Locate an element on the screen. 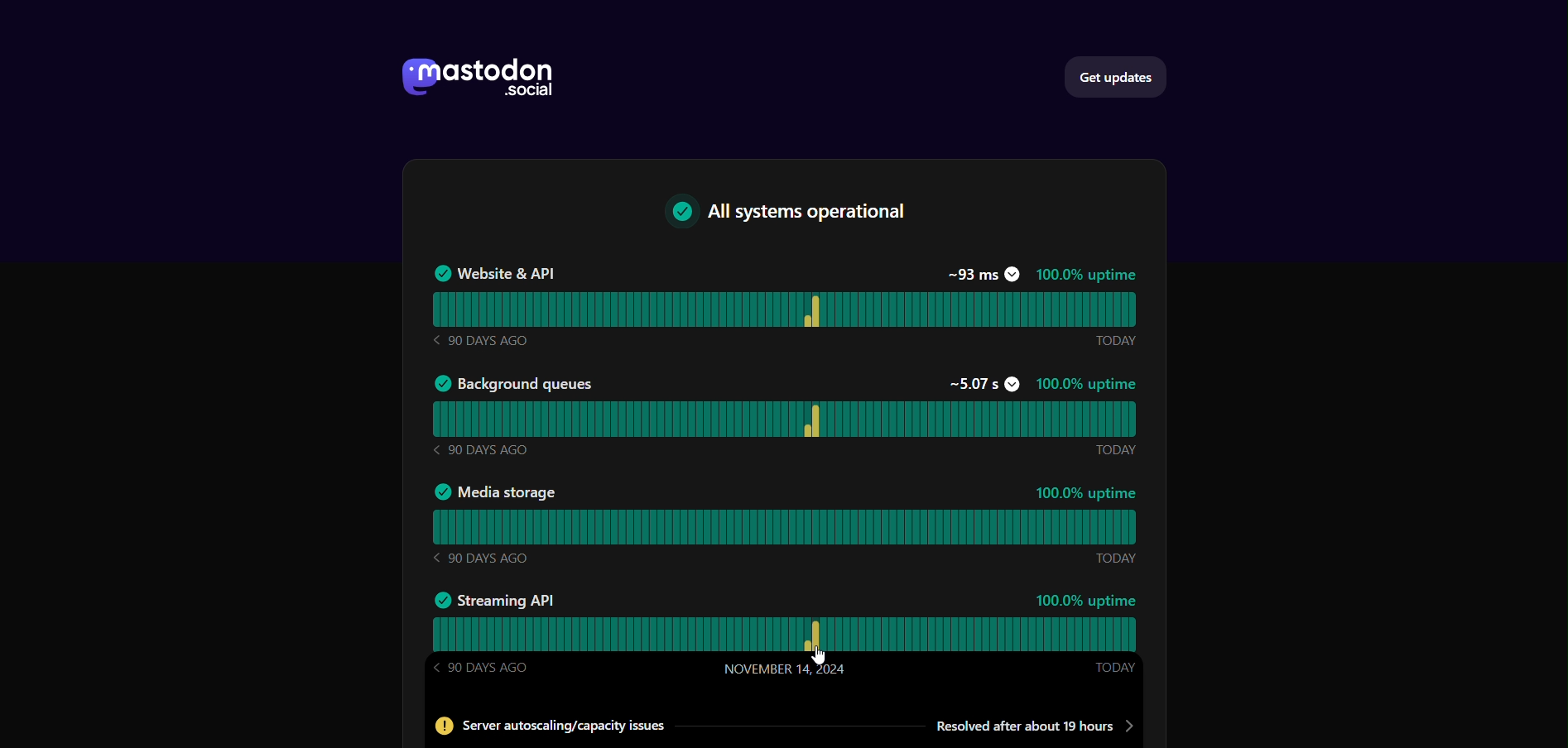 This screenshot has width=1568, height=748. issues in streaming API is located at coordinates (778, 726).